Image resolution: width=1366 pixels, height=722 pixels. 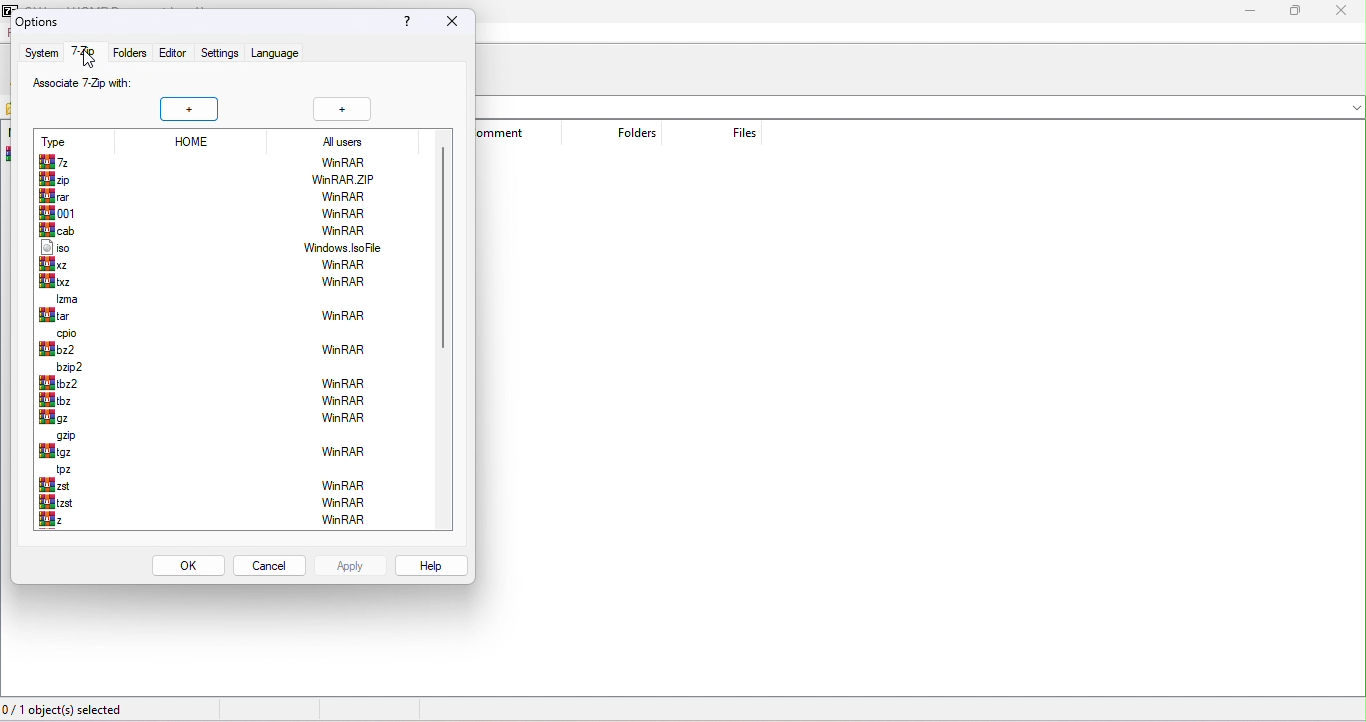 I want to click on help, so click(x=432, y=565).